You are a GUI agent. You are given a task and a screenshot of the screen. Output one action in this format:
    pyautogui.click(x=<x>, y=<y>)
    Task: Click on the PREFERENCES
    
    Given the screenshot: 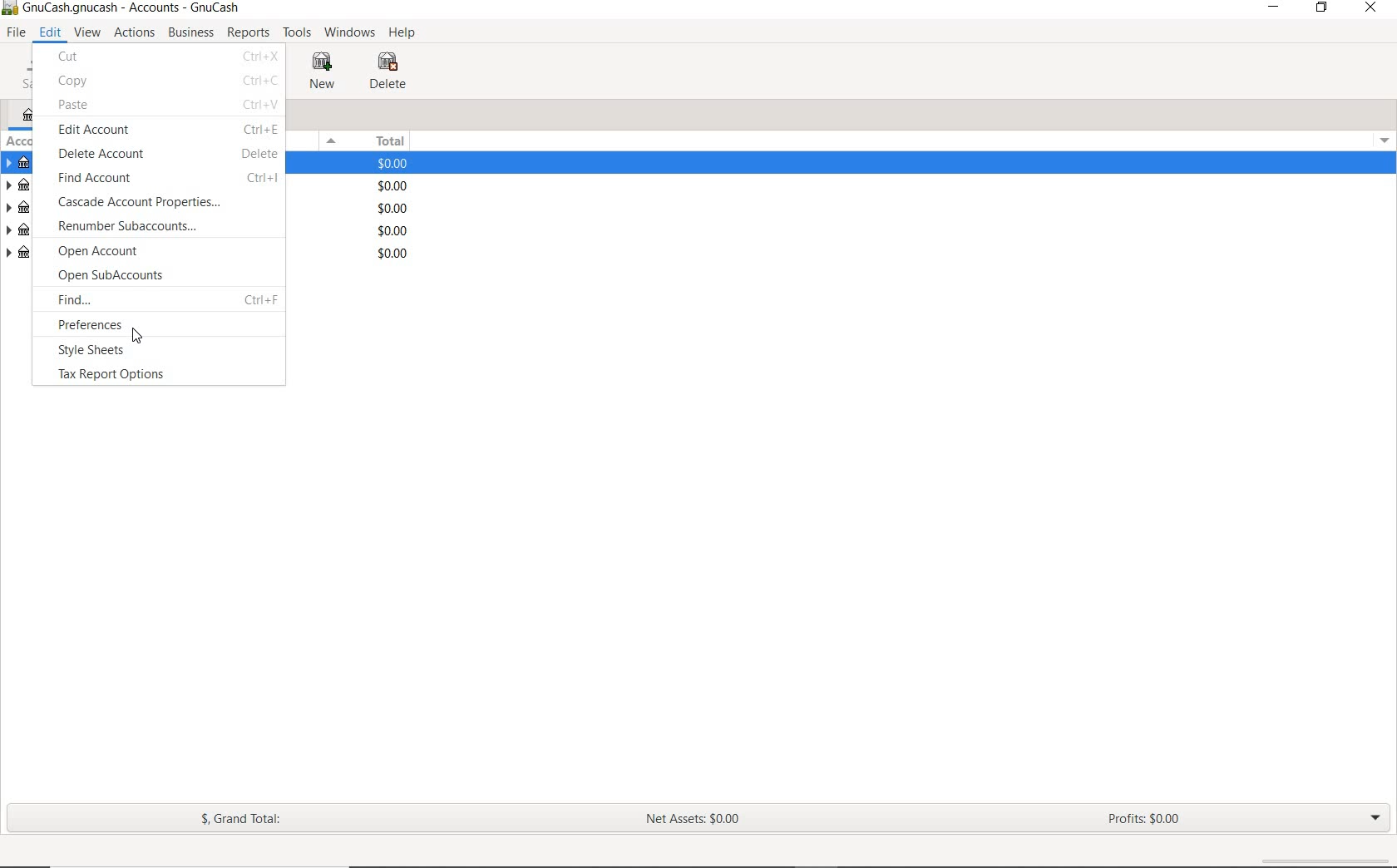 What is the action you would take?
    pyautogui.click(x=136, y=323)
    